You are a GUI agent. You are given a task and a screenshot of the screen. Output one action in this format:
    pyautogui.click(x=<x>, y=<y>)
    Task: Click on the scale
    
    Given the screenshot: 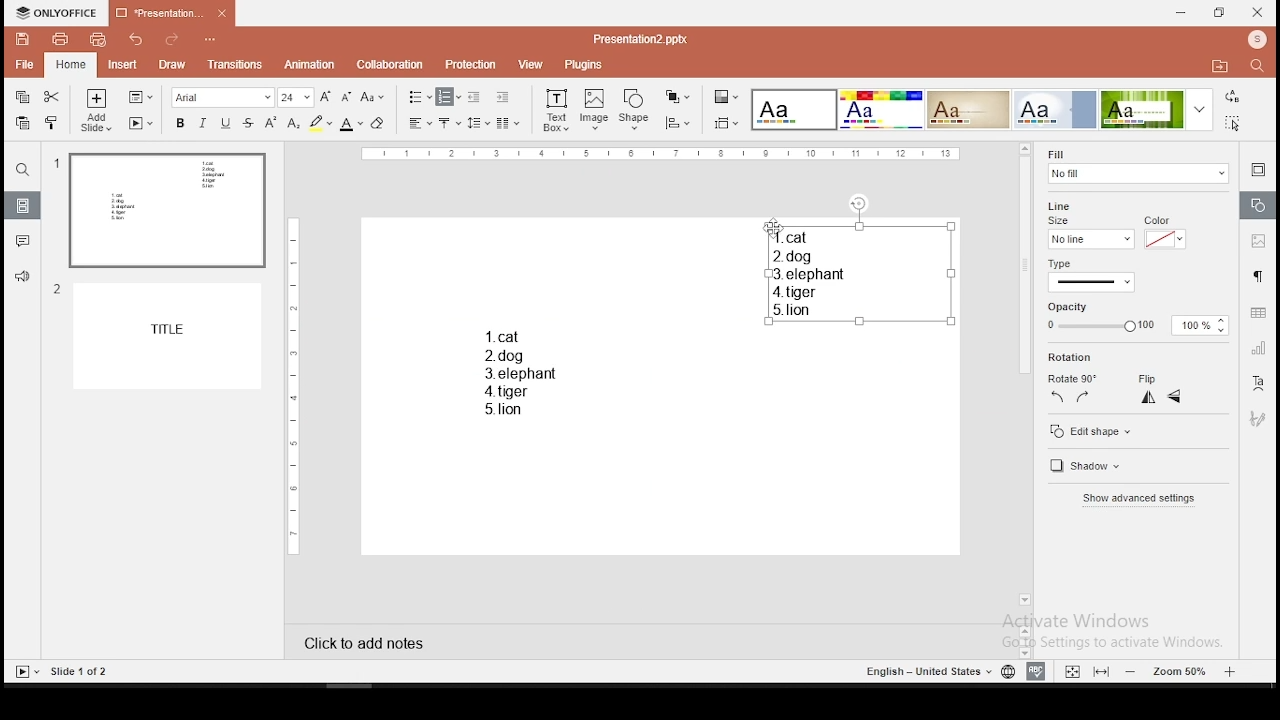 What is the action you would take?
    pyautogui.click(x=291, y=384)
    